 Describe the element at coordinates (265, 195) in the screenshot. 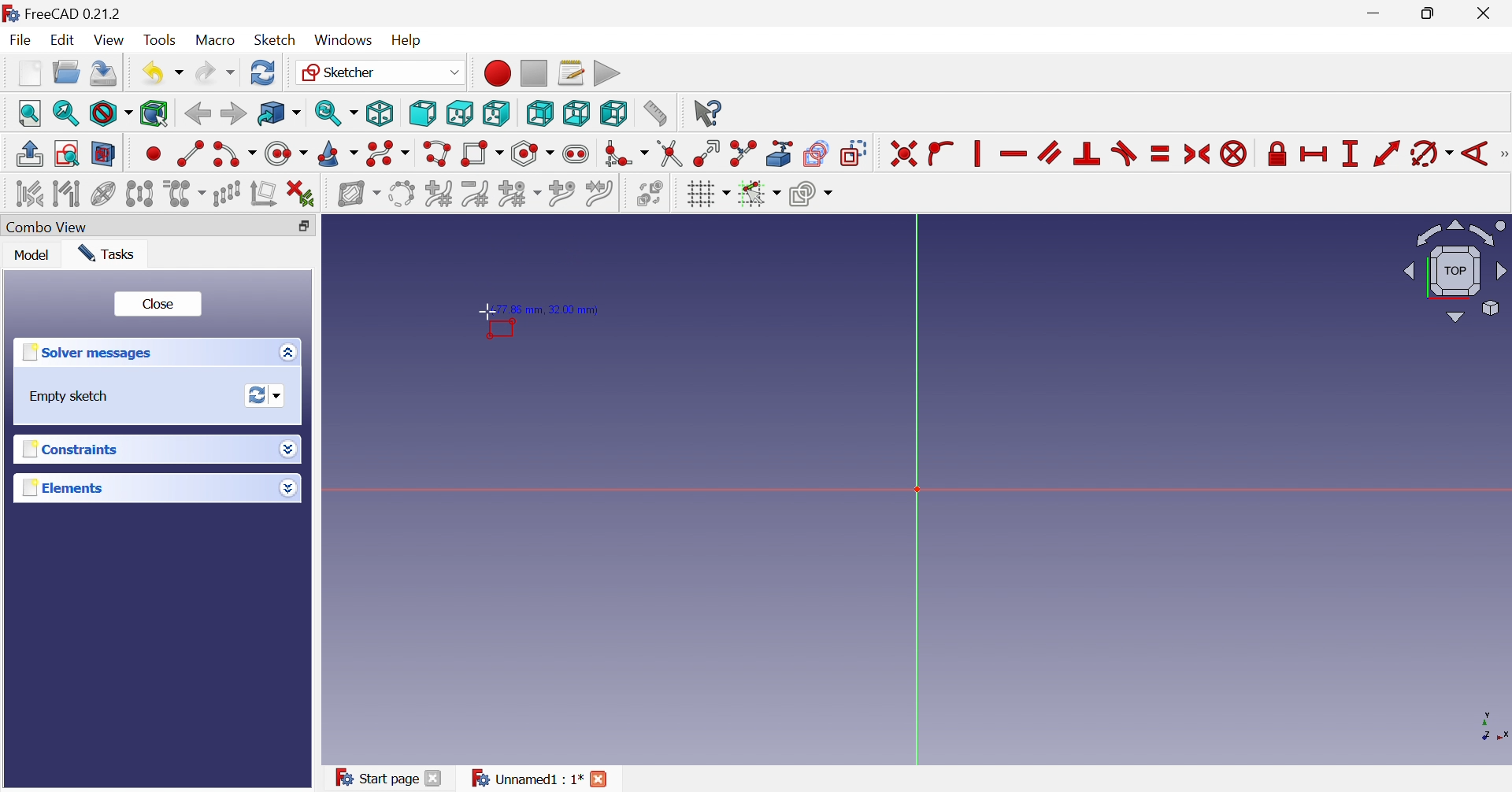

I see `Remove axes alignment` at that location.